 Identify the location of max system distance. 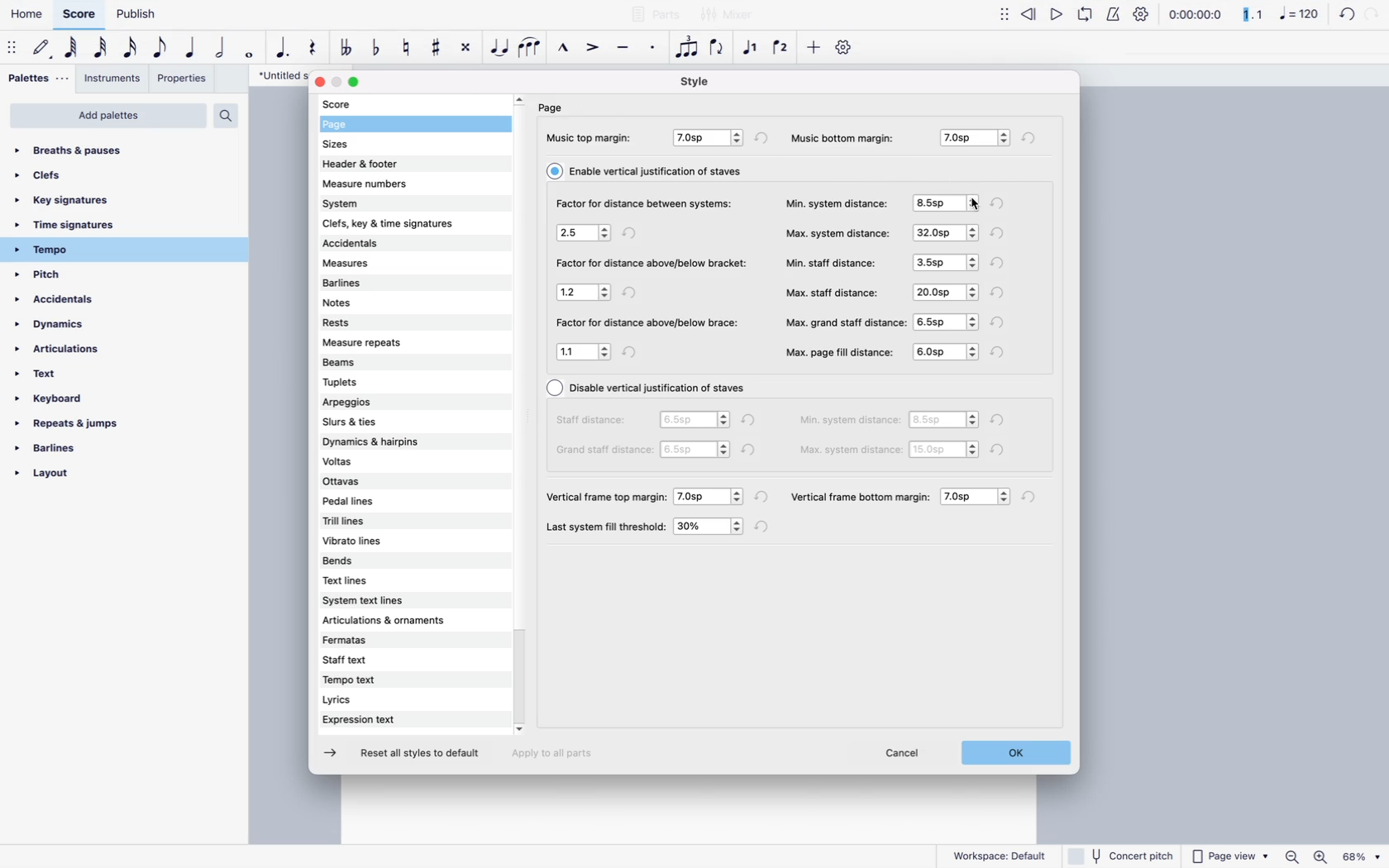
(838, 231).